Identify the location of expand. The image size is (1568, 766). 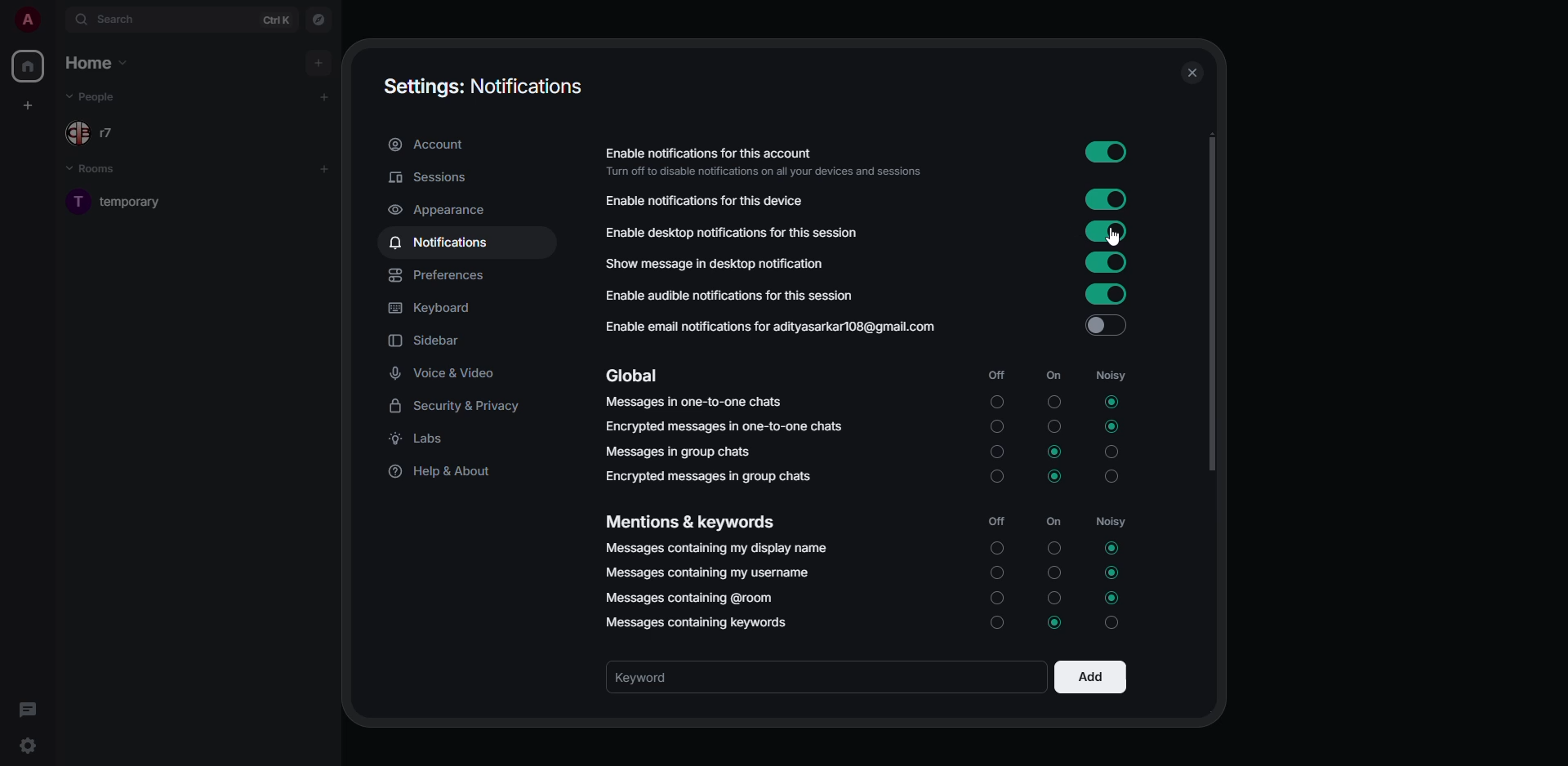
(56, 20).